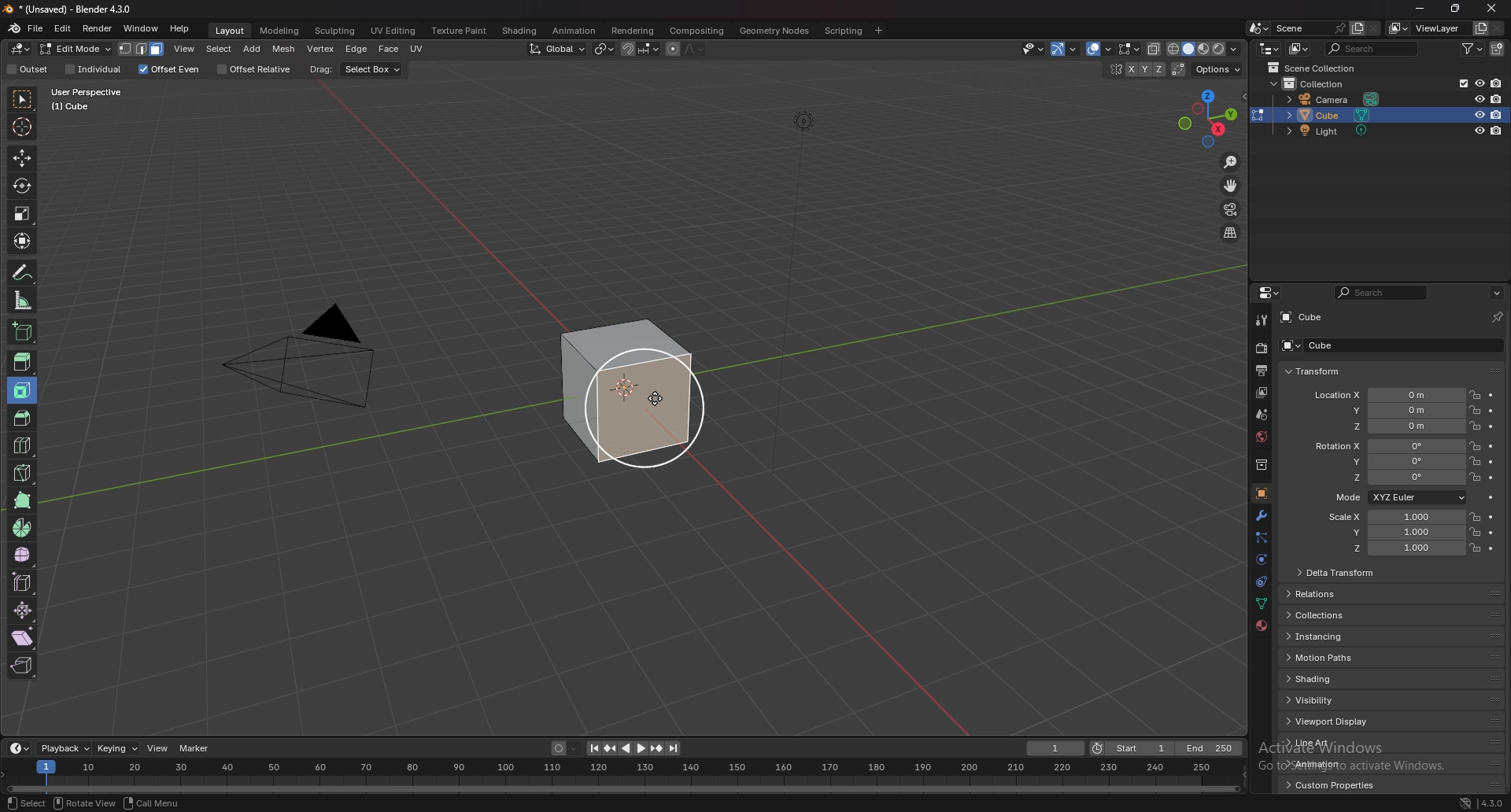 This screenshot has height=812, width=1511. Describe the element at coordinates (1458, 83) in the screenshot. I see `exclude from view layer` at that location.